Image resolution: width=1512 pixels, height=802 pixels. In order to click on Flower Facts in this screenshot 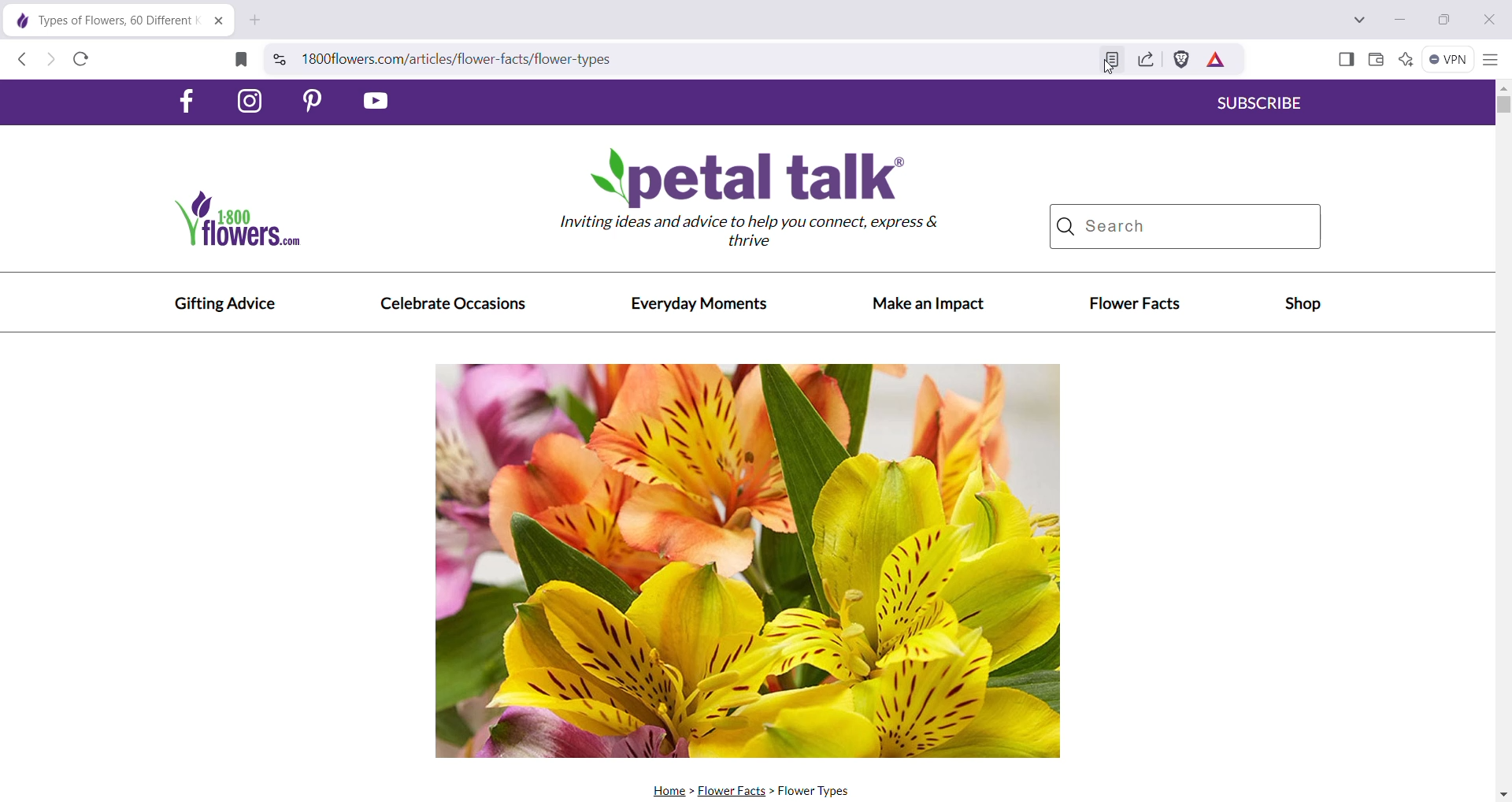, I will do `click(734, 791)`.